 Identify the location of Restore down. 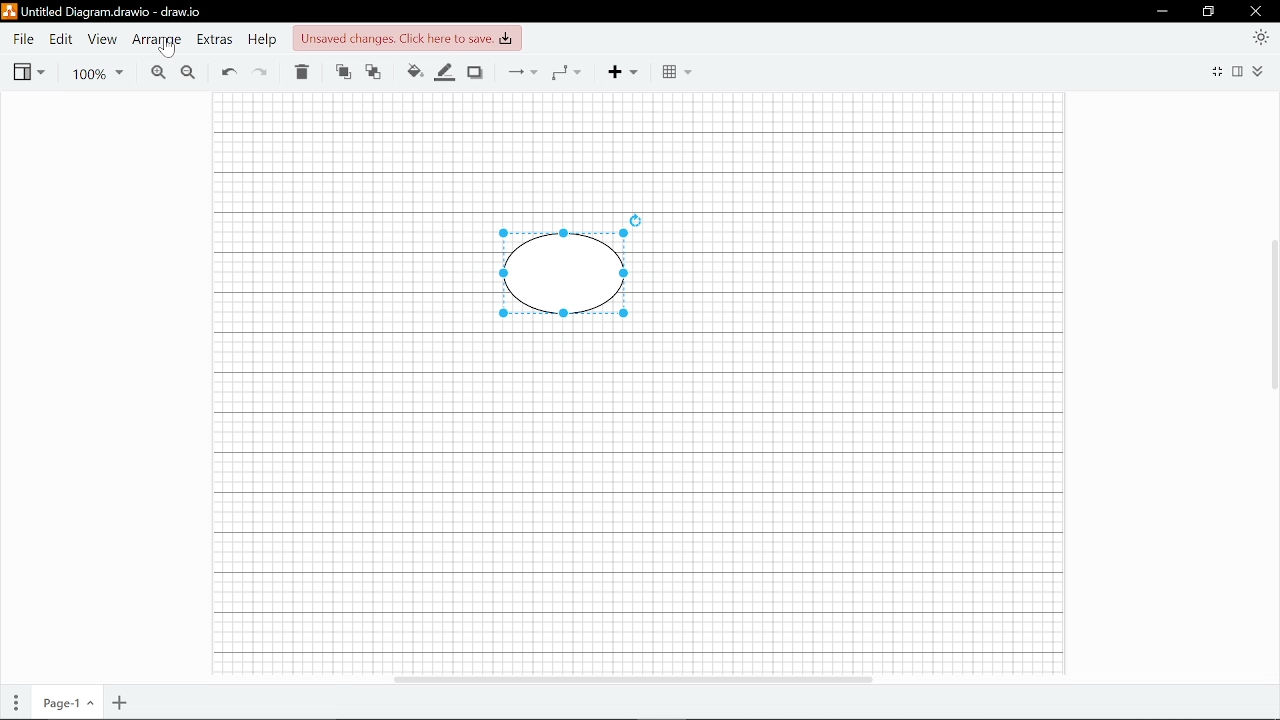
(1209, 13).